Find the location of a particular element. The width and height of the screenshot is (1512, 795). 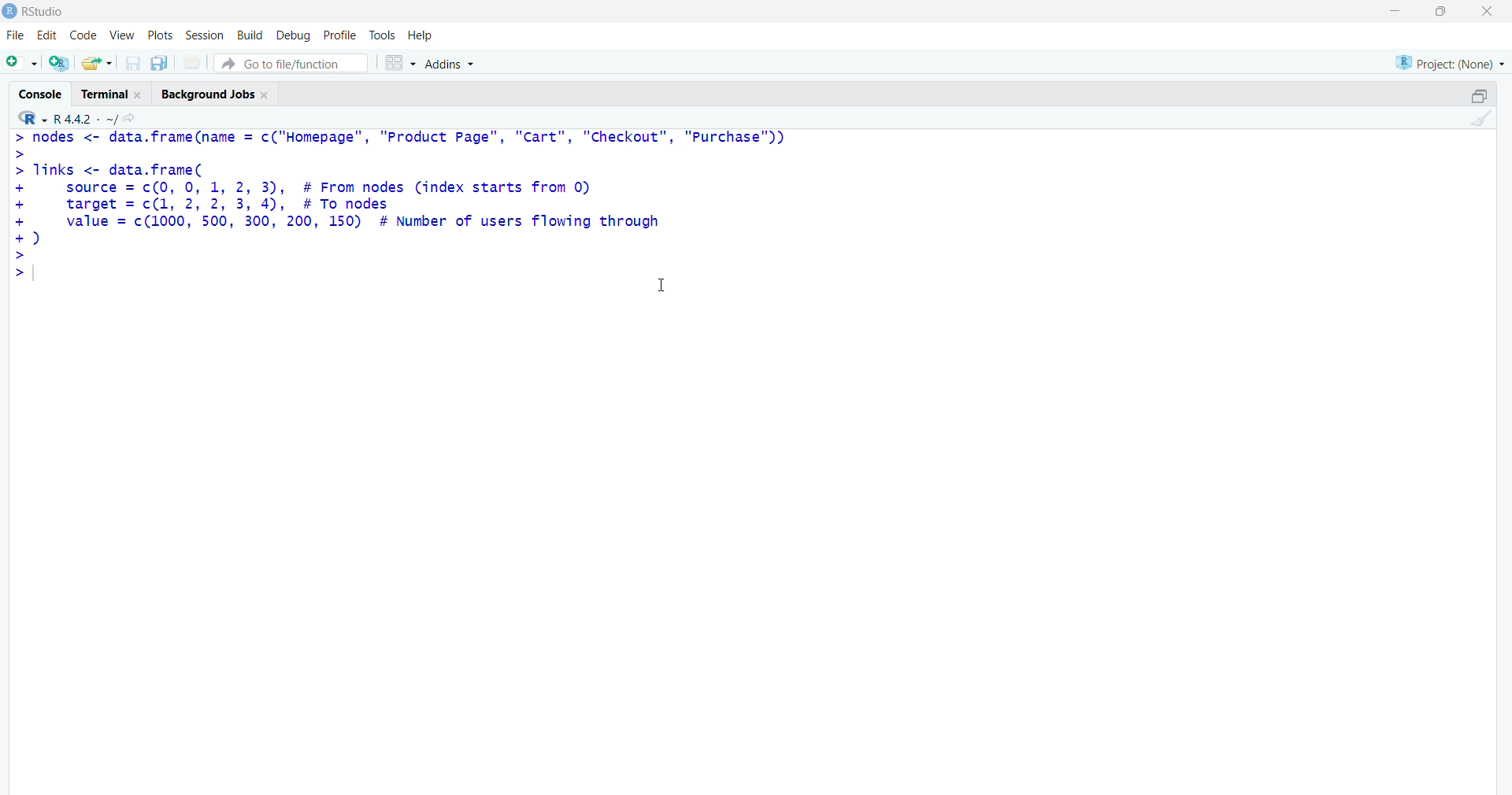

project (none) is located at coordinates (1440, 62).